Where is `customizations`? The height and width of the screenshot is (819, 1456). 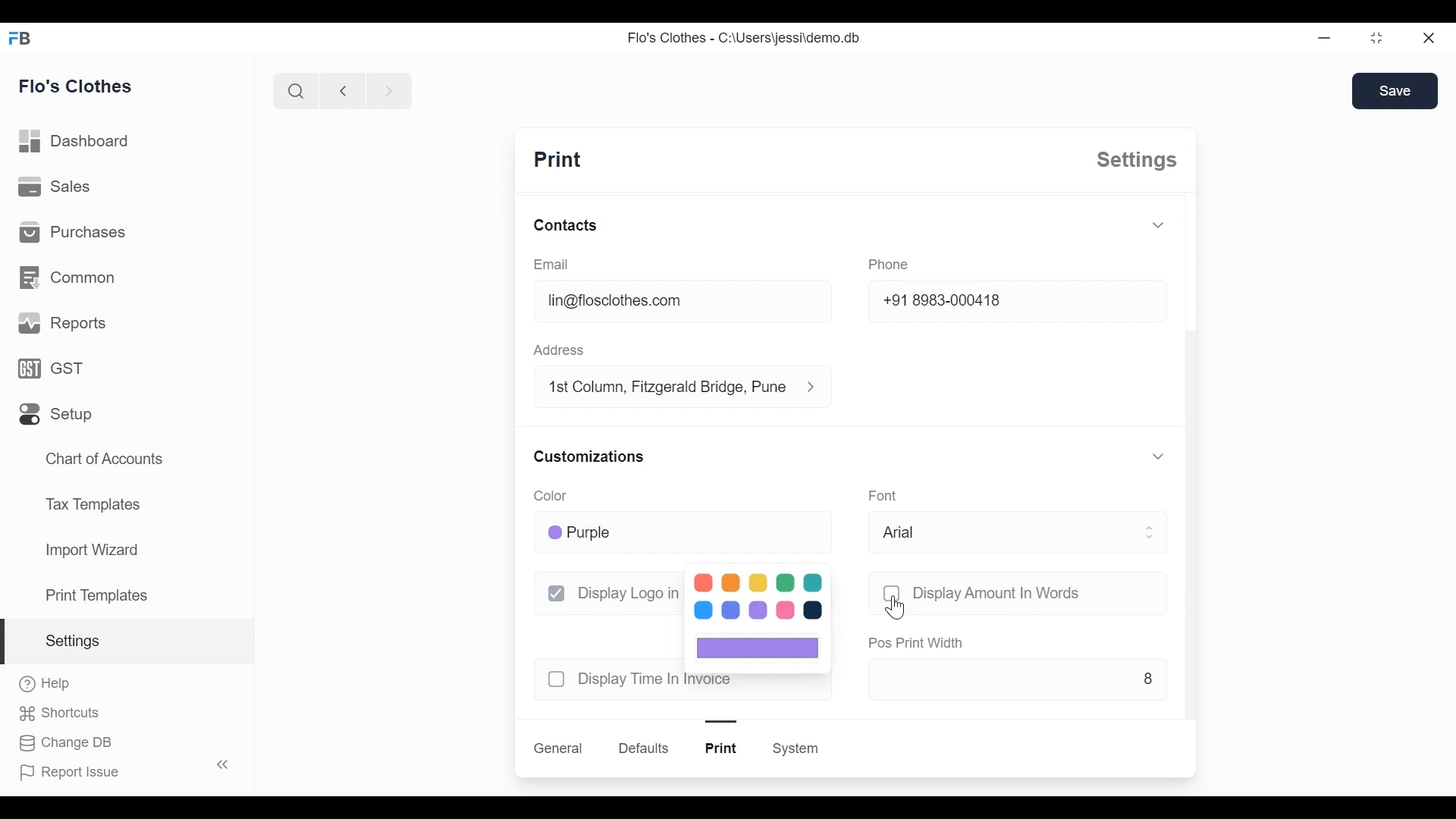 customizations is located at coordinates (589, 457).